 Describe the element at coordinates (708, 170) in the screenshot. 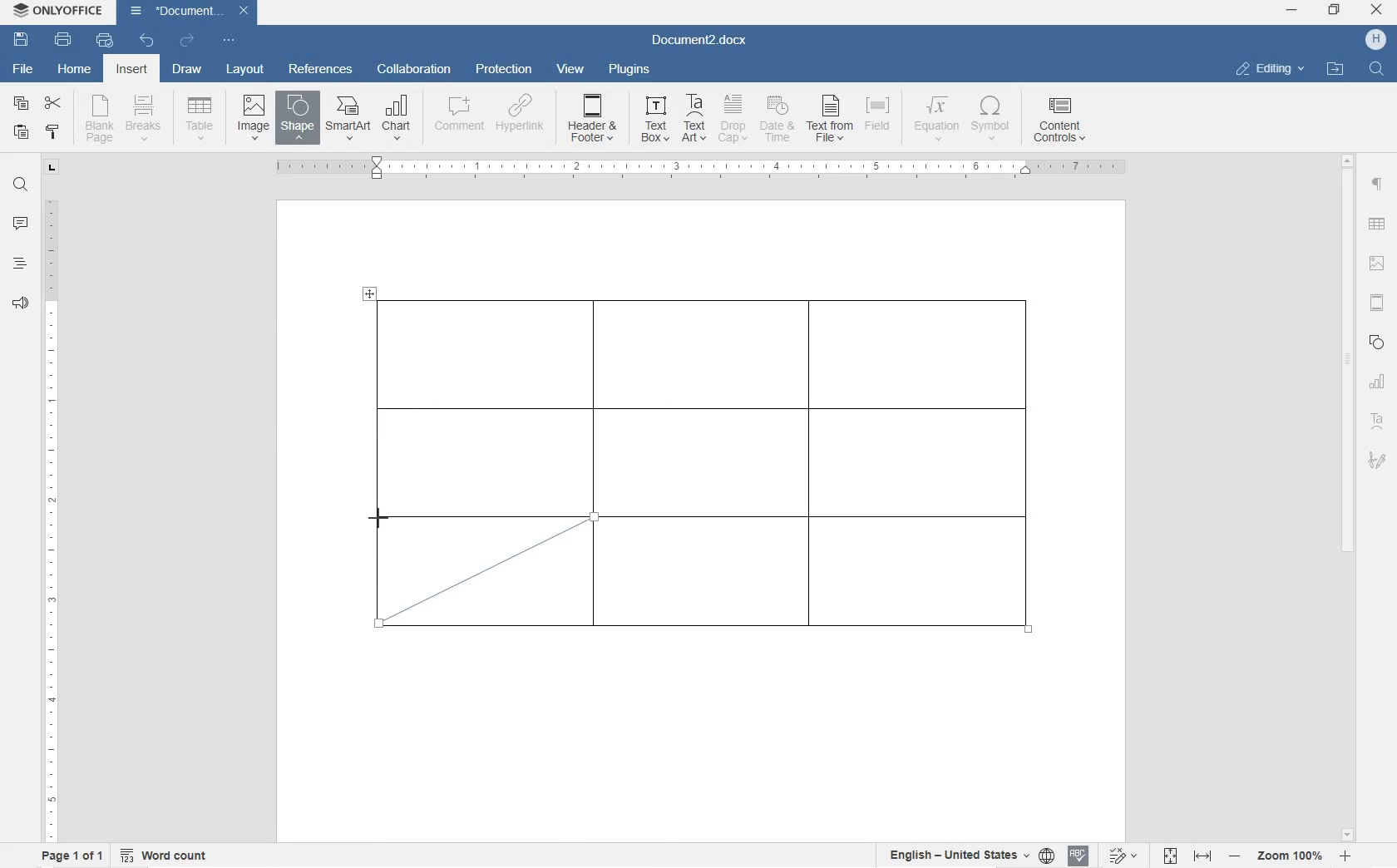

I see `ruler` at that location.